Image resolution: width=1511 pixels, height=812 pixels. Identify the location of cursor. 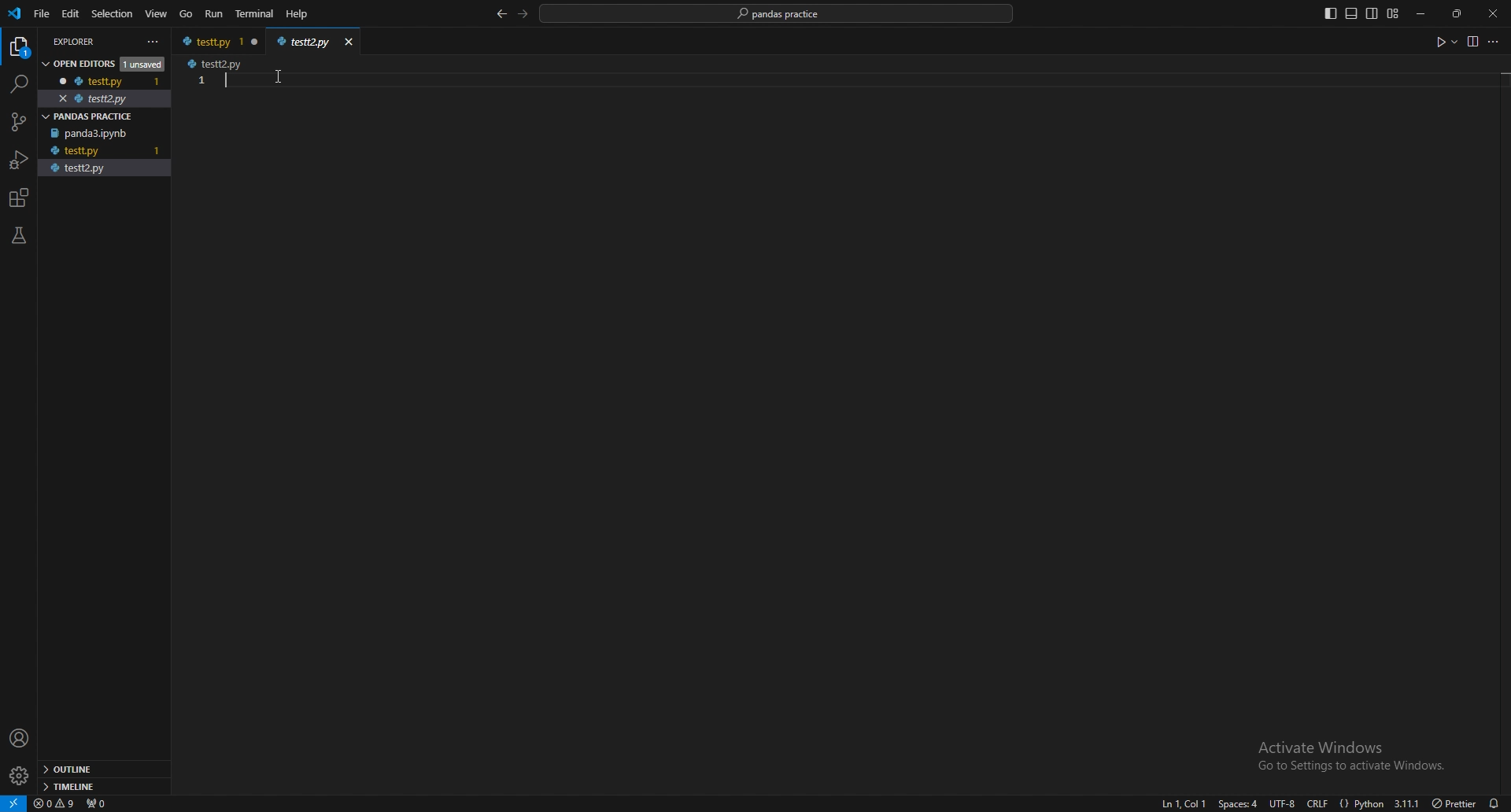
(275, 80).